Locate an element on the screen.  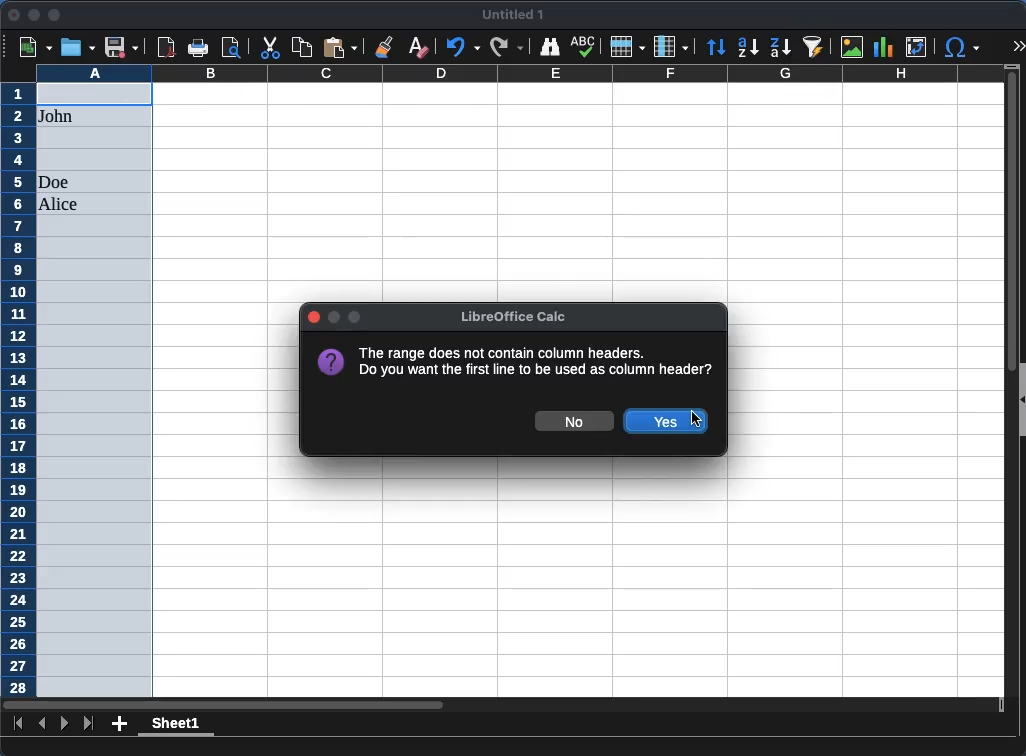
untitled 1 is located at coordinates (510, 15).